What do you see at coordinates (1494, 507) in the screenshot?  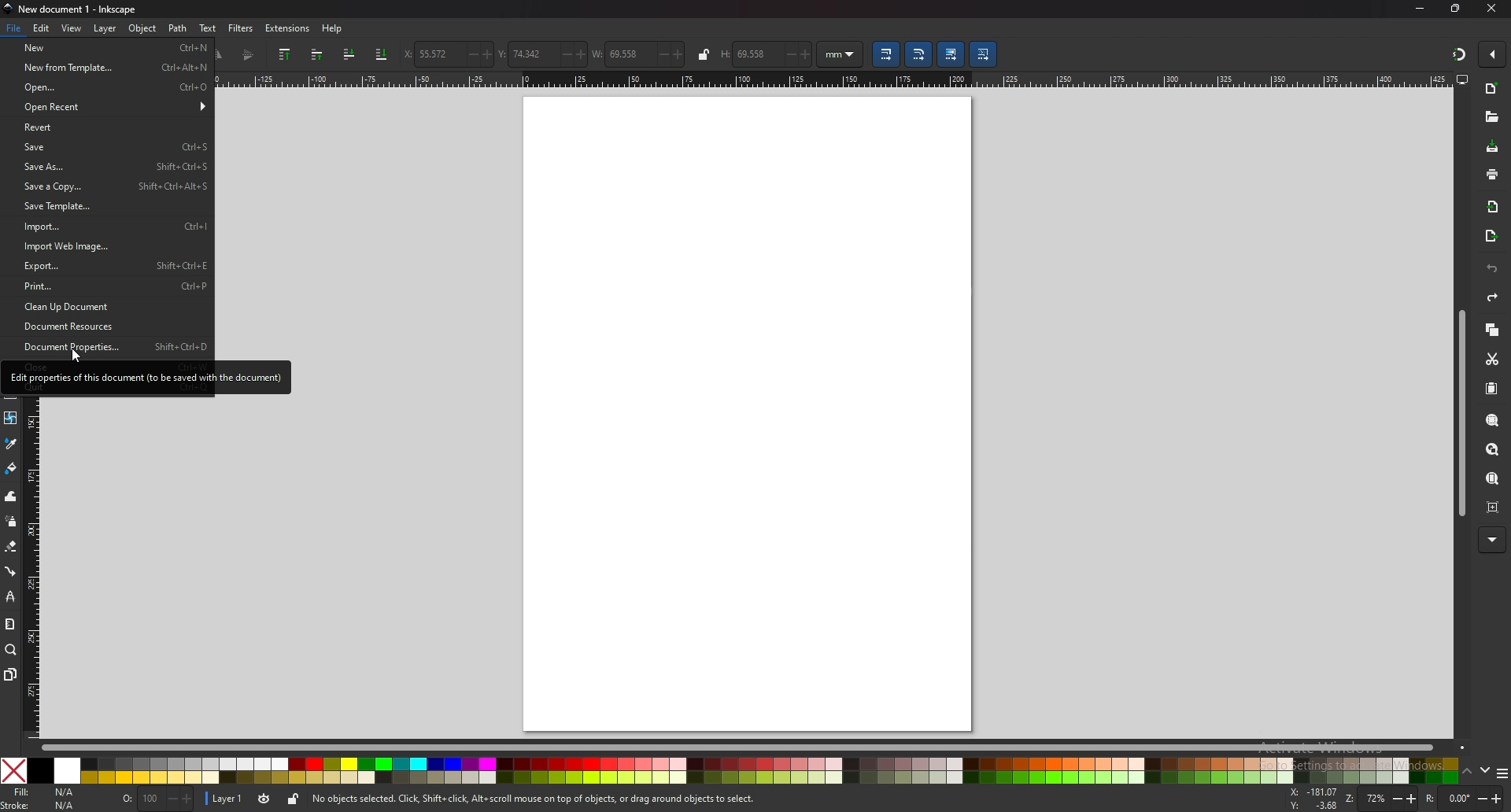 I see `zoom centre page` at bounding box center [1494, 507].